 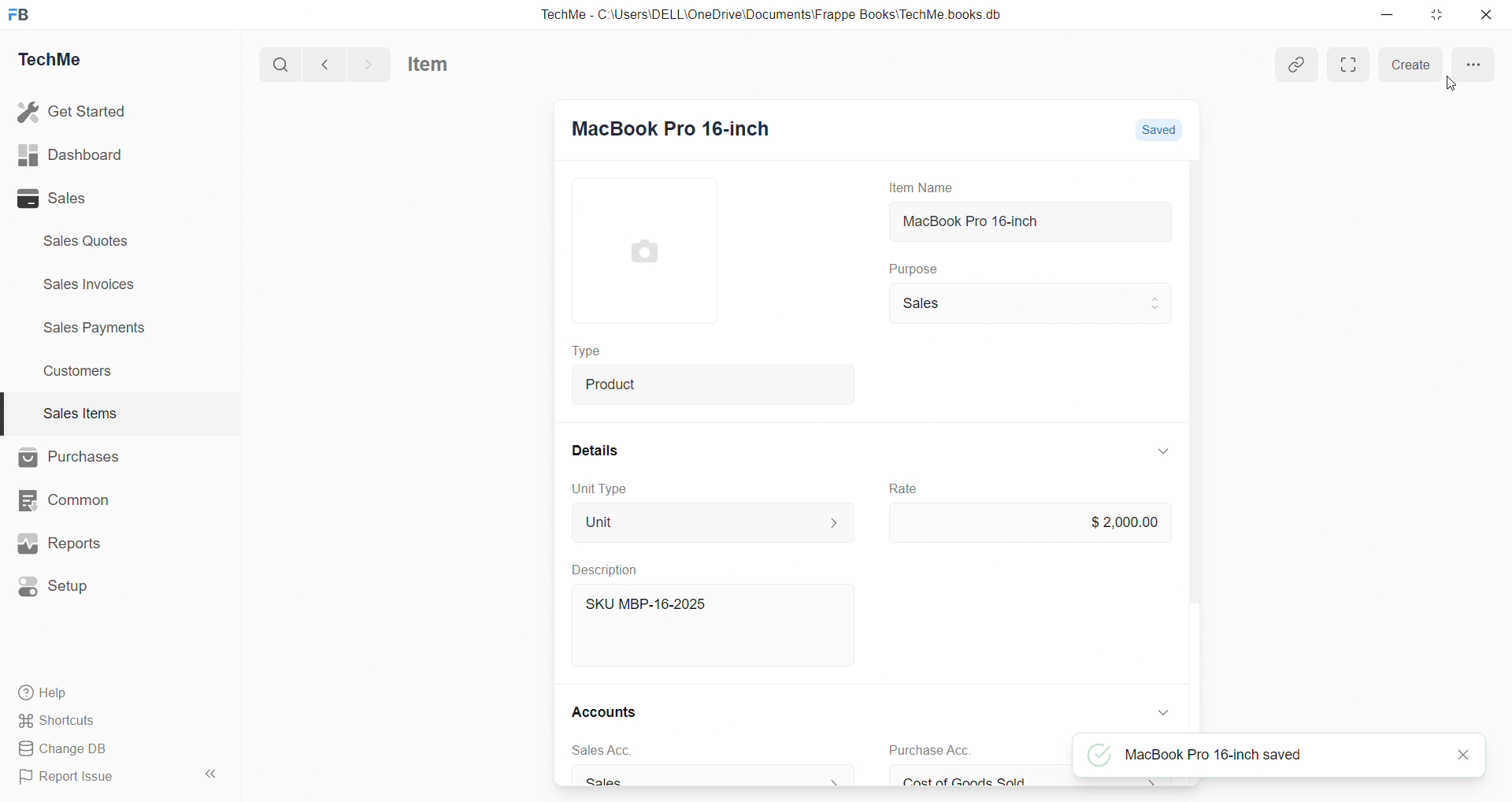 What do you see at coordinates (1028, 221) in the screenshot?
I see `MacBook Pro 16-inch` at bounding box center [1028, 221].